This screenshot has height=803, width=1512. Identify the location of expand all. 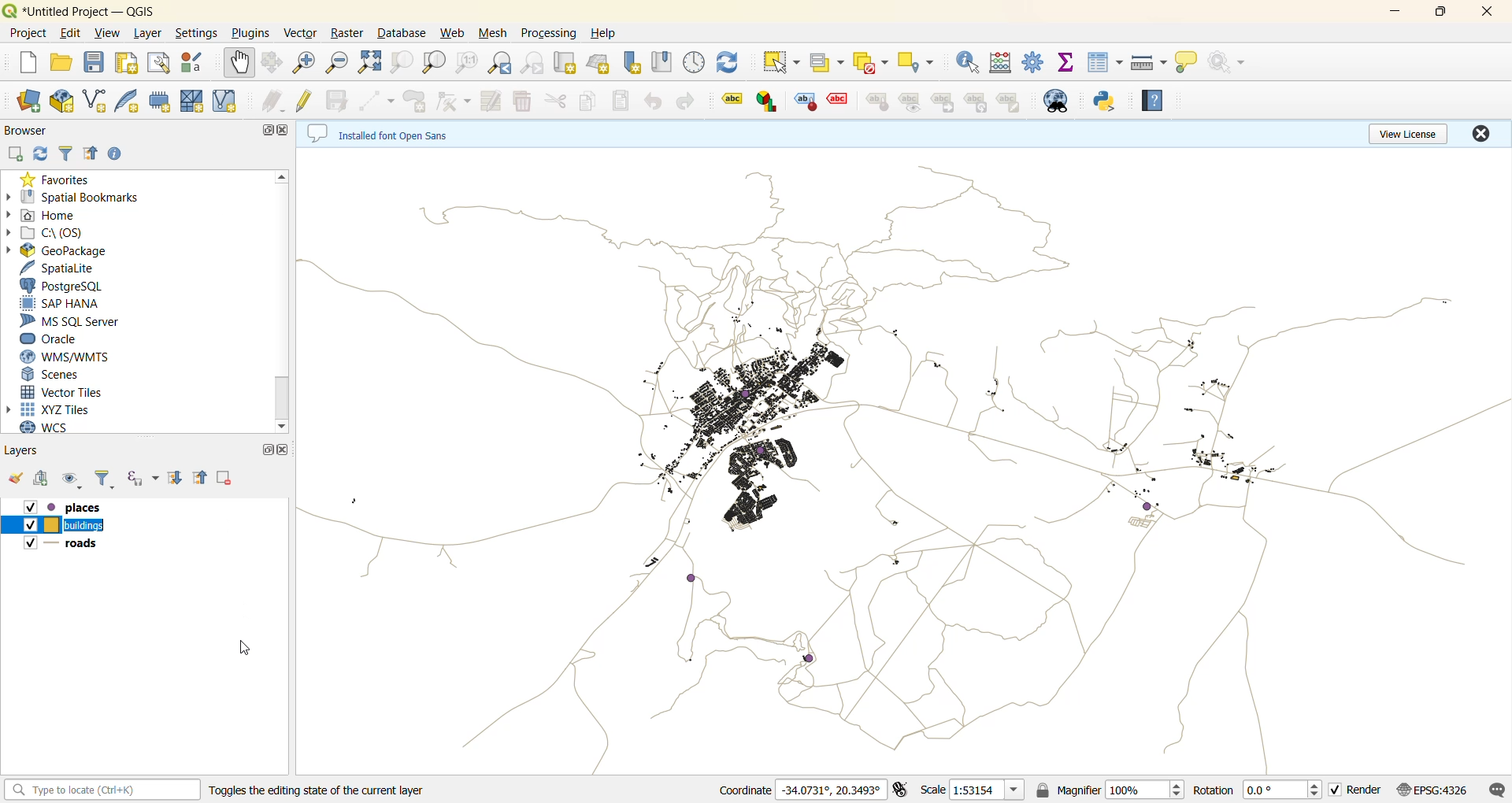
(176, 479).